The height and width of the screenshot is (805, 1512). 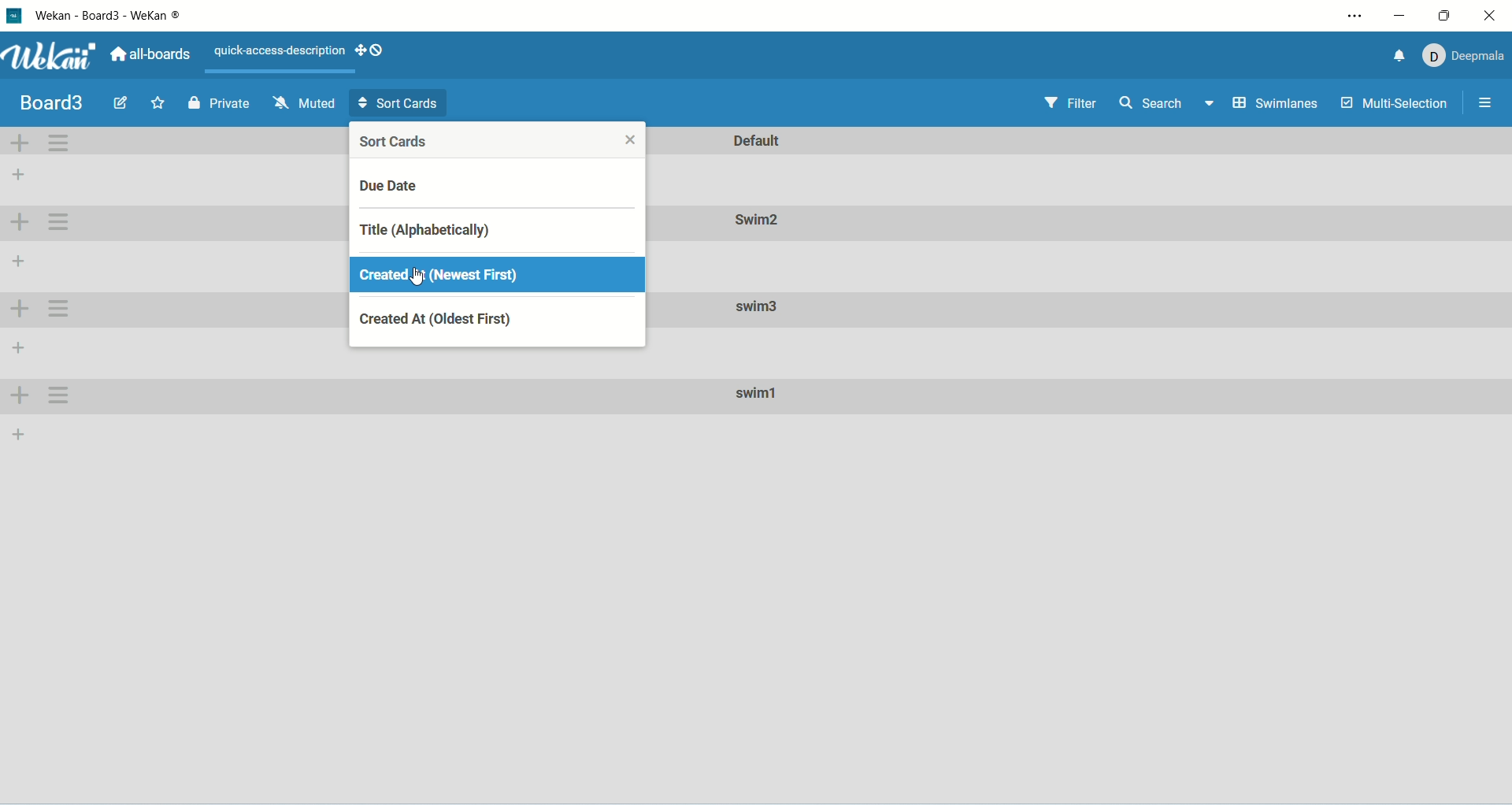 What do you see at coordinates (1392, 56) in the screenshot?
I see `notification` at bounding box center [1392, 56].